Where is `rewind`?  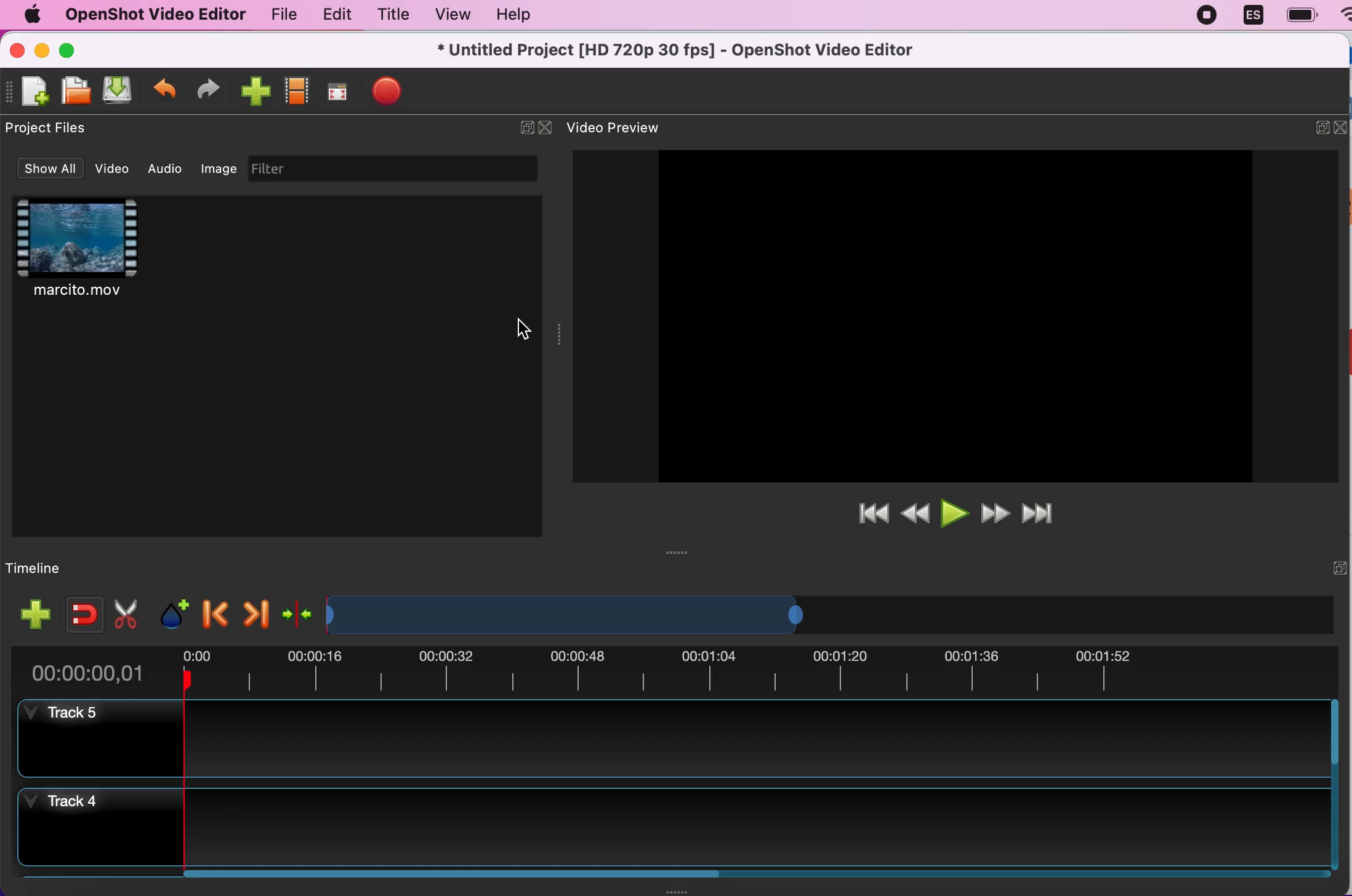 rewind is located at coordinates (915, 512).